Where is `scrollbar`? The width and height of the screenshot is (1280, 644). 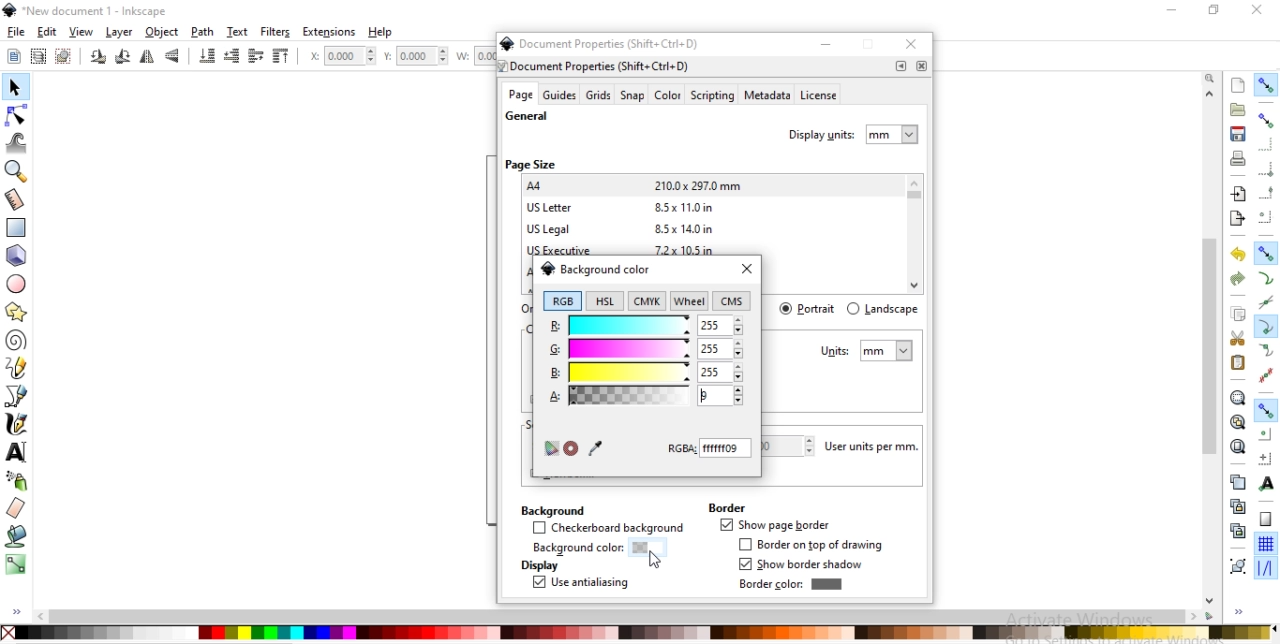
scrollbar is located at coordinates (626, 616).